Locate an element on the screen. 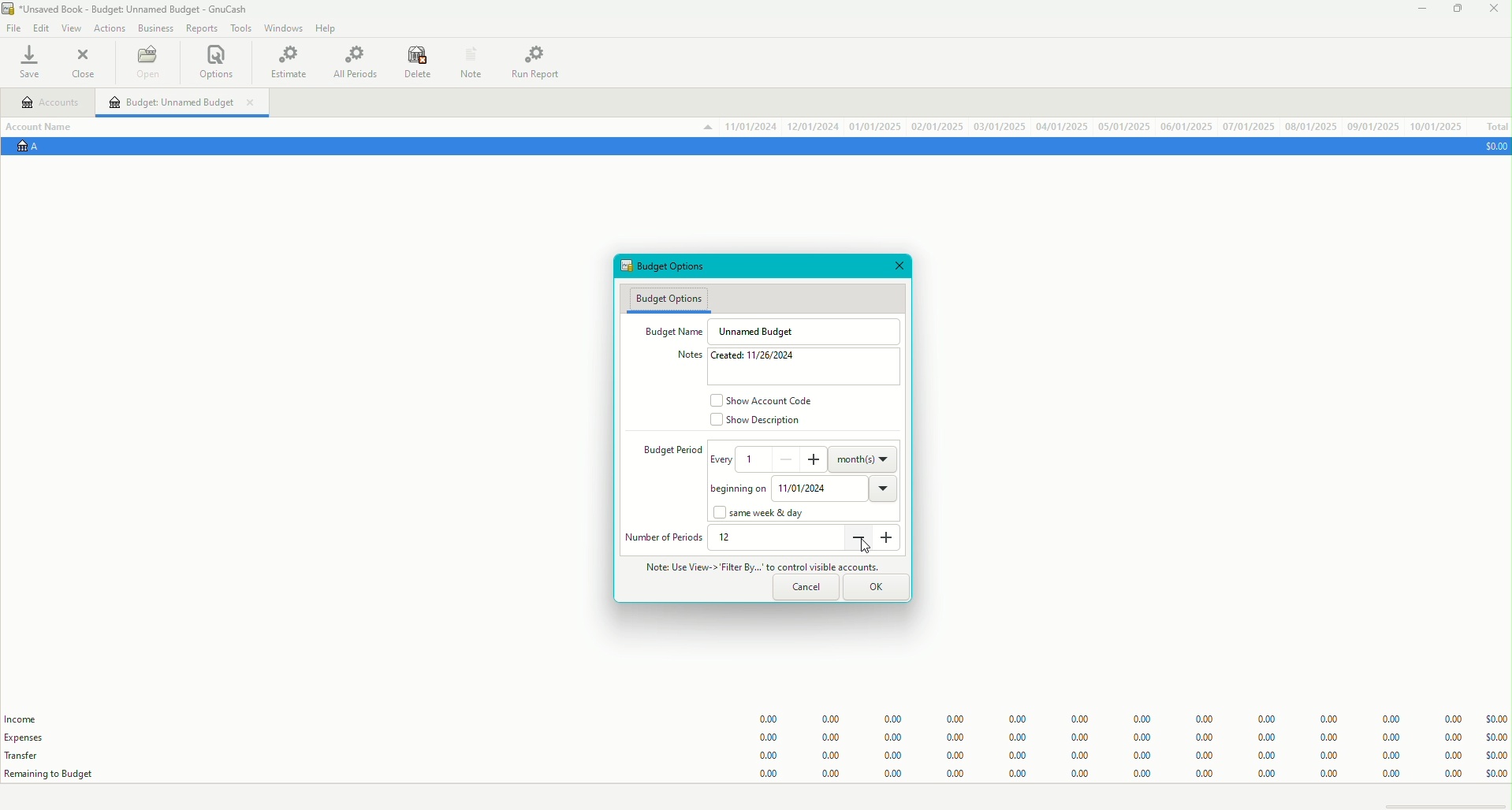  Estimate is located at coordinates (290, 61).